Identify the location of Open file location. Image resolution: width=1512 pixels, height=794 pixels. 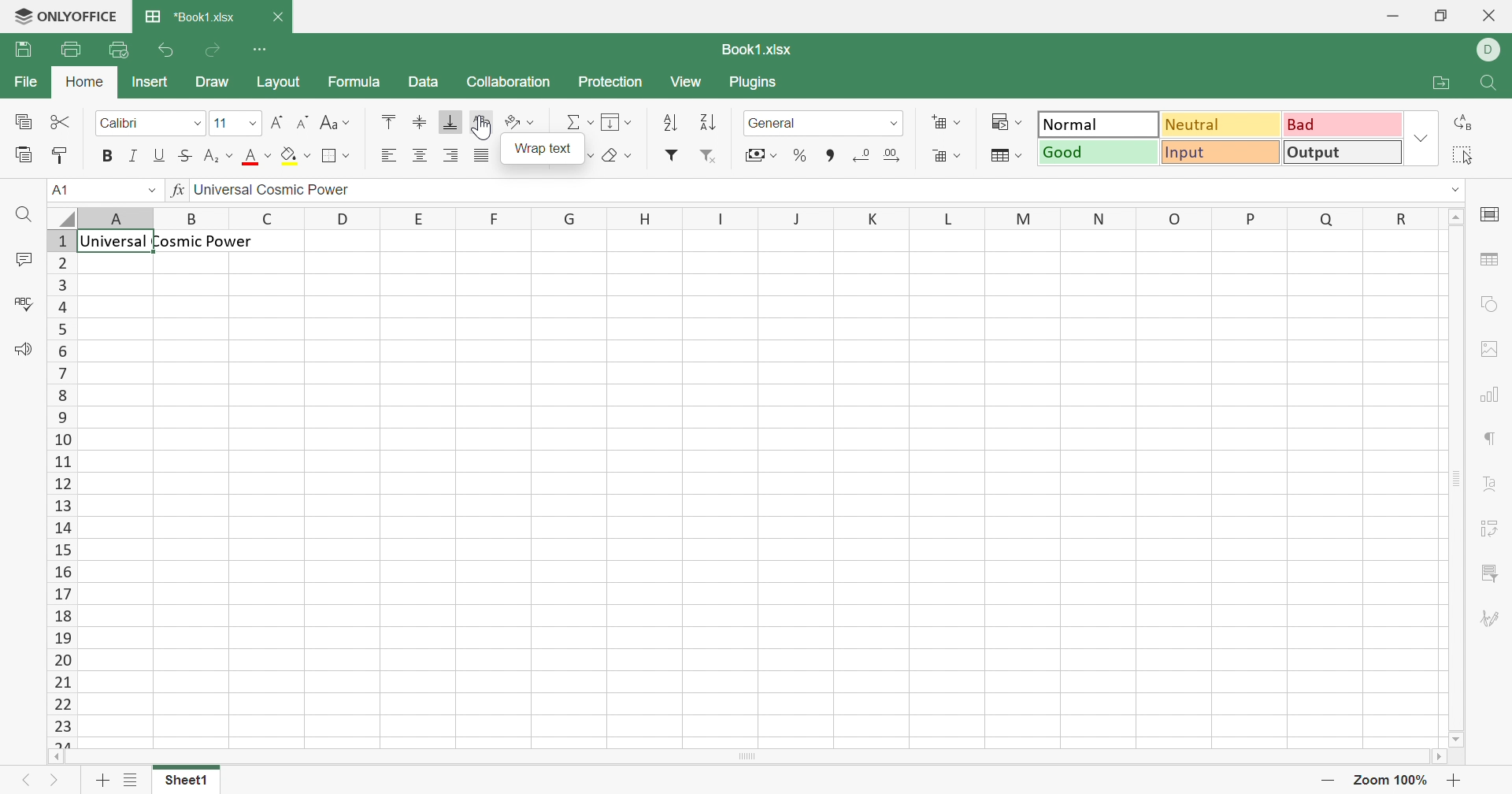
(1443, 82).